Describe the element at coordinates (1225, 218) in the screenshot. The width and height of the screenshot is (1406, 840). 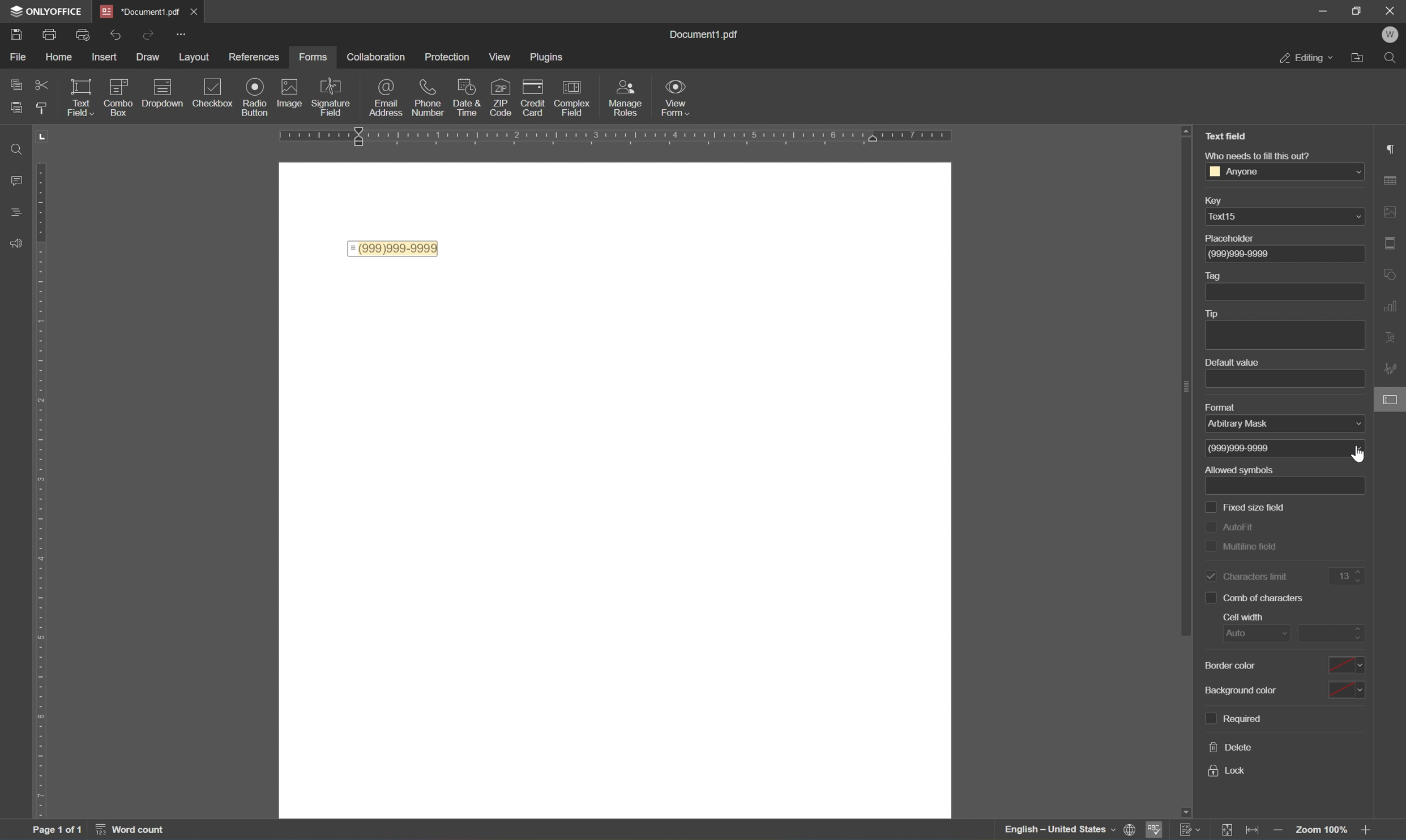
I see `text15` at that location.